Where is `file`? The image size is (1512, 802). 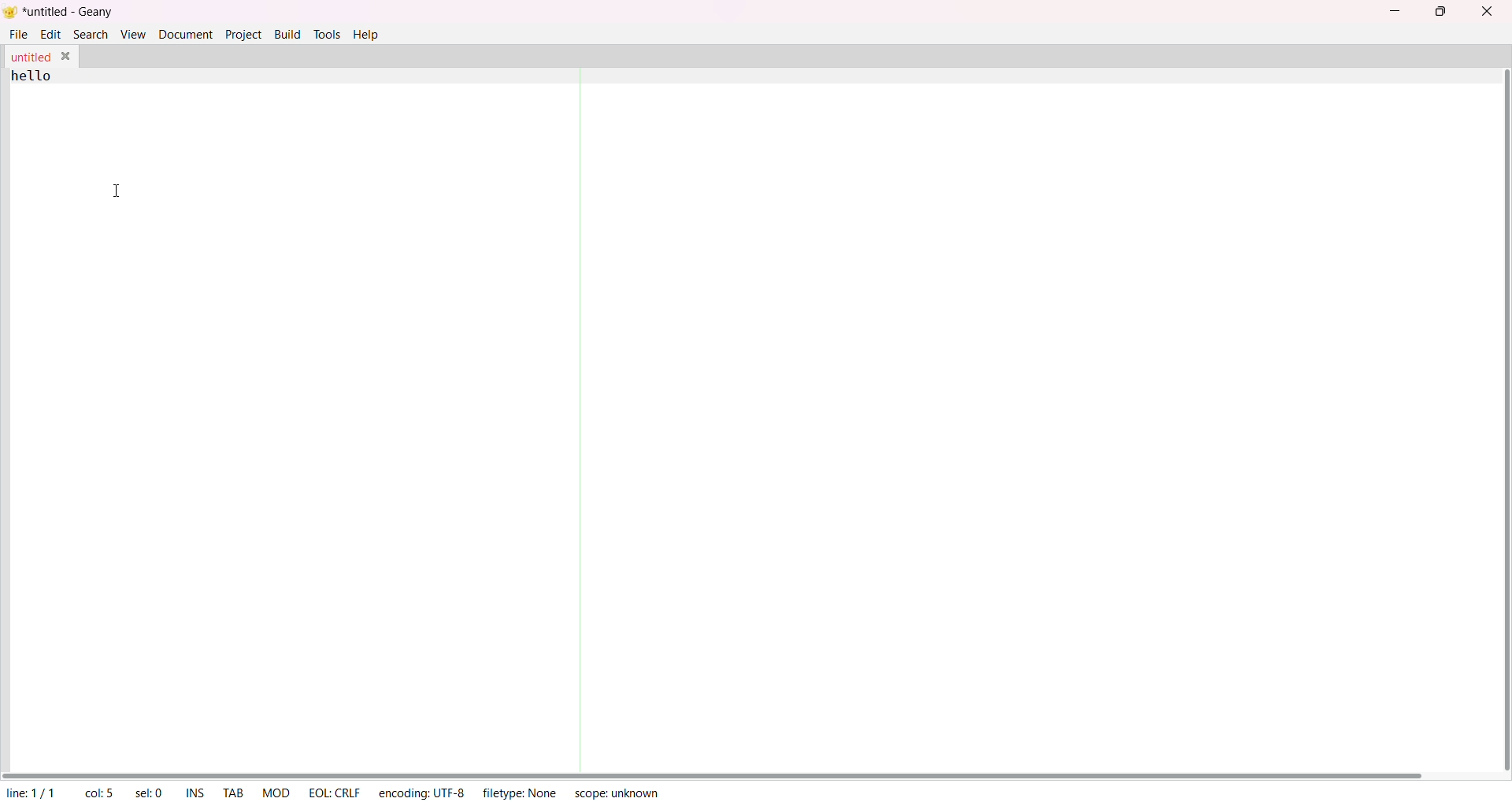
file is located at coordinates (18, 33).